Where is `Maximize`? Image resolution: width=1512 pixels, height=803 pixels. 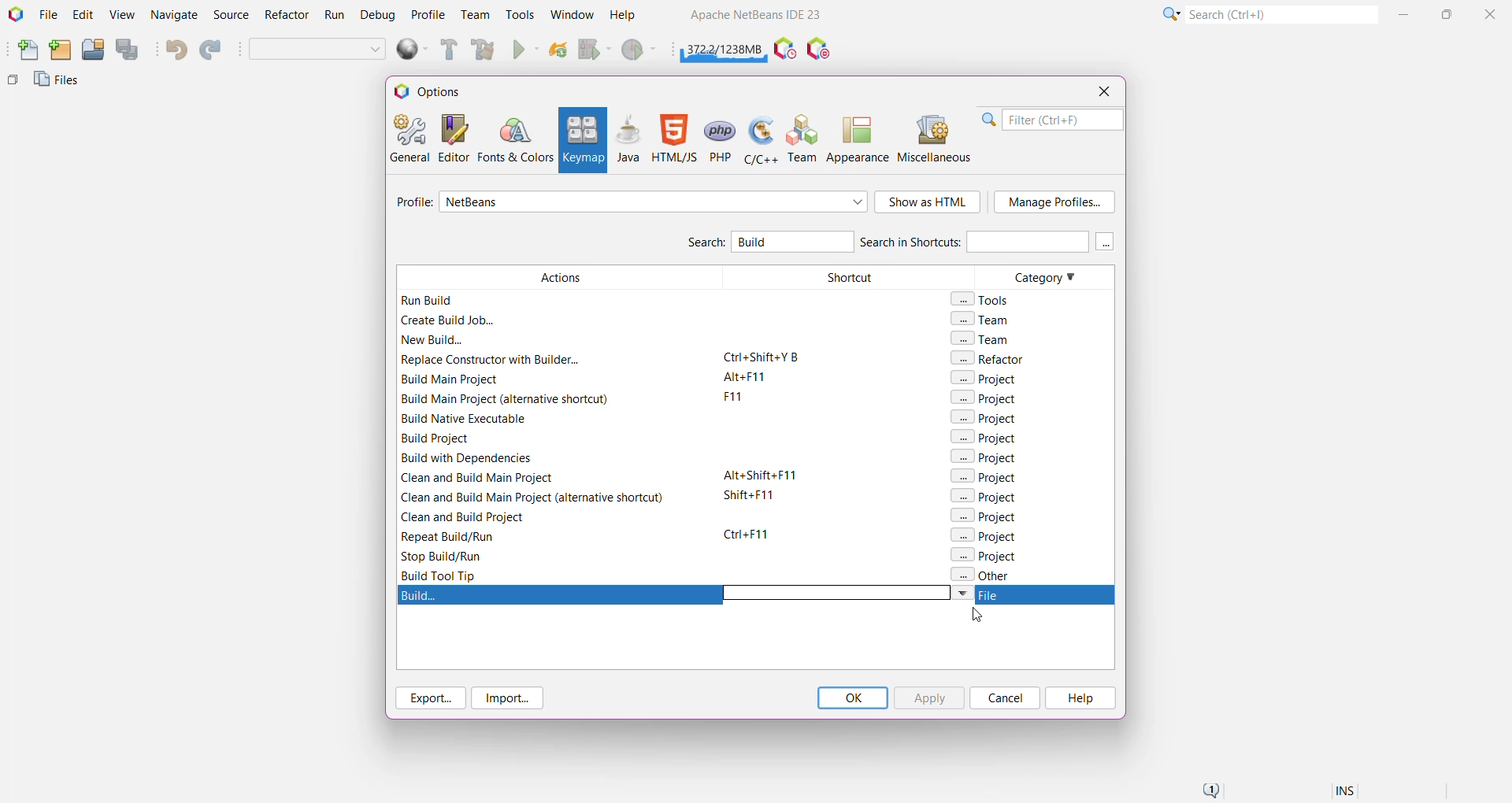
Maximize is located at coordinates (1449, 13).